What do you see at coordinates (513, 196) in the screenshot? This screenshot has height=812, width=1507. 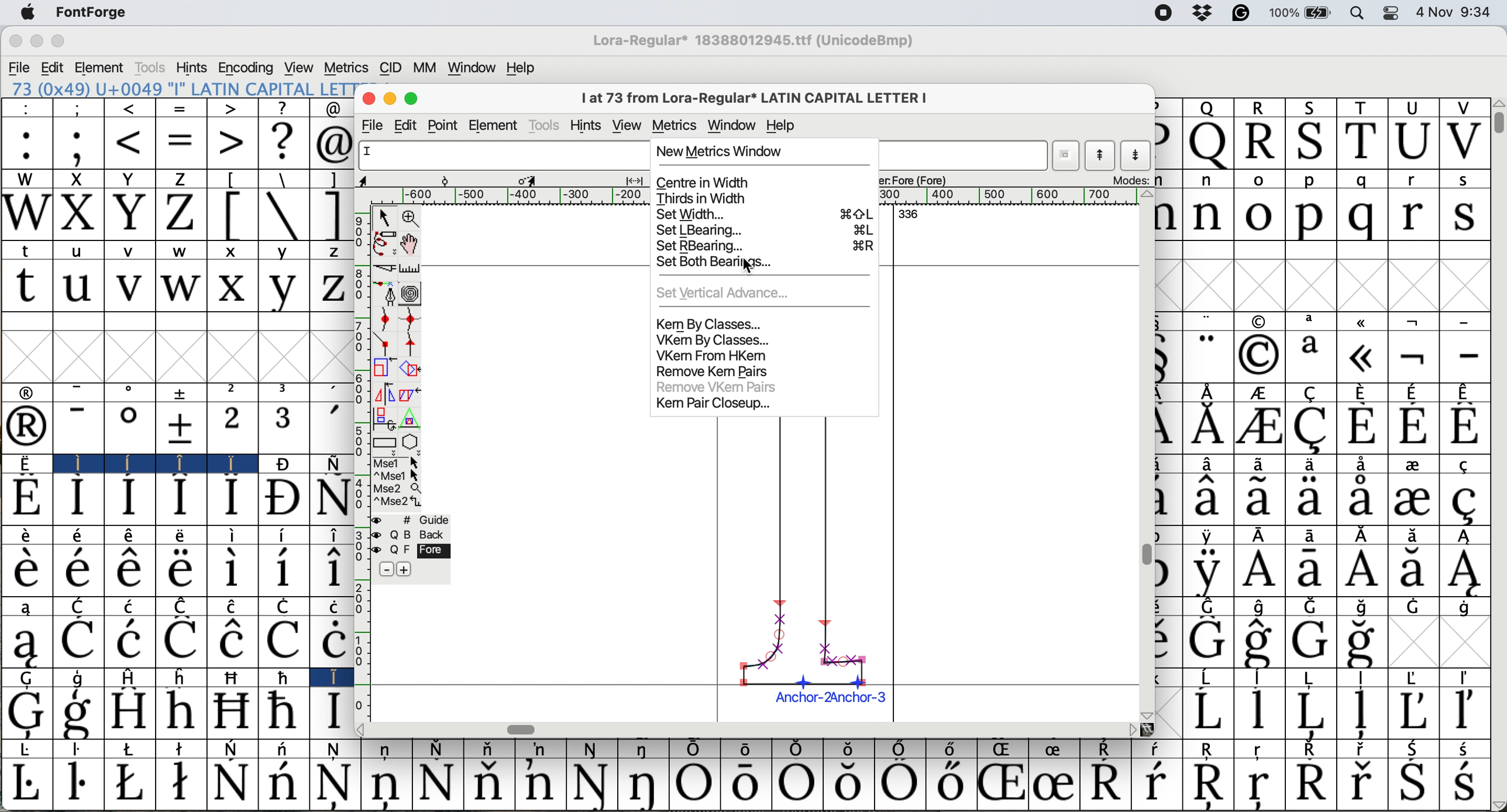 I see `horizontal scale` at bounding box center [513, 196].